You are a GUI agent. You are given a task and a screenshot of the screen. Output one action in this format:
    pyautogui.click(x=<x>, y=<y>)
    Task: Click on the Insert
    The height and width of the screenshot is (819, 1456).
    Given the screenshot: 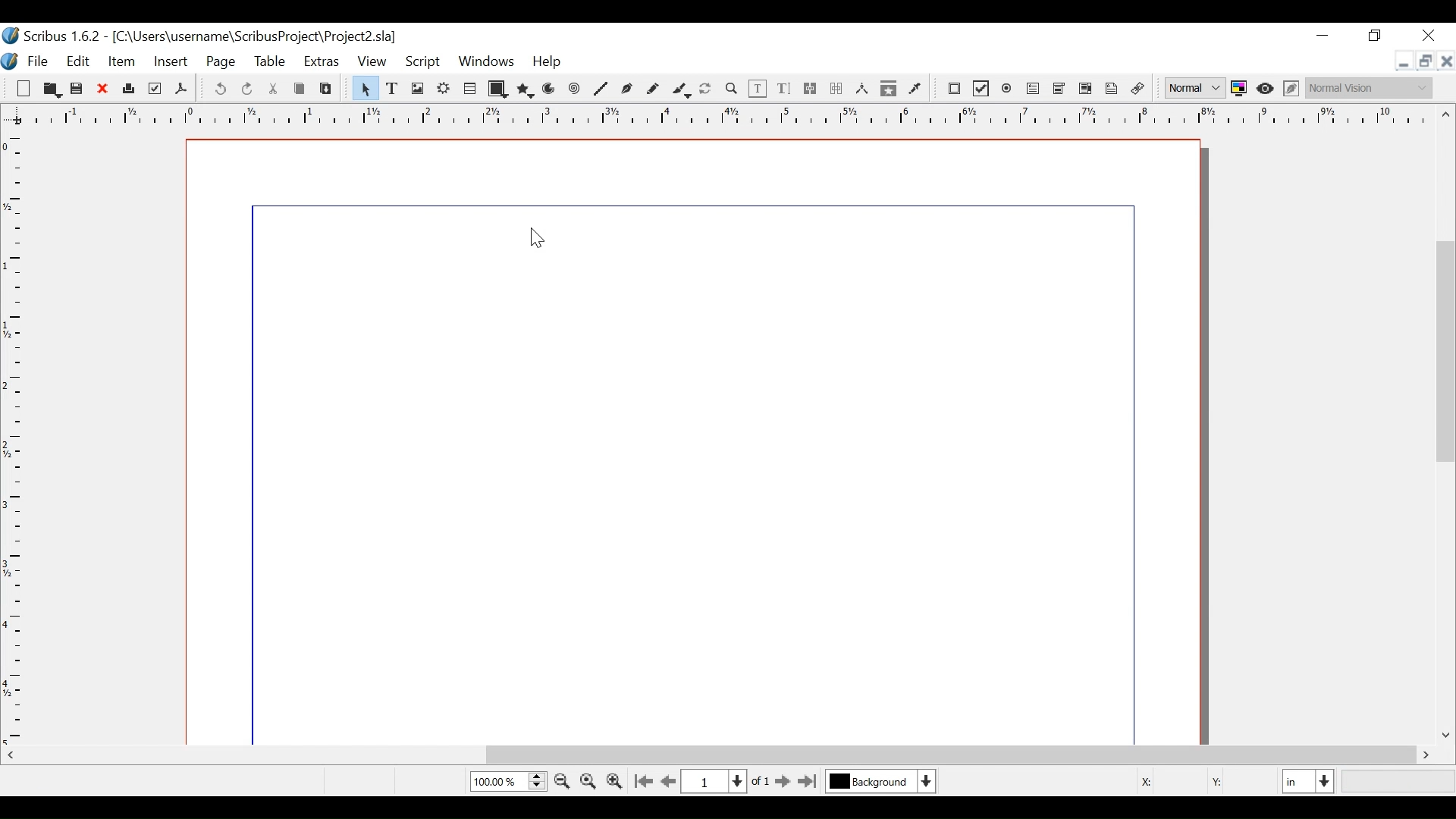 What is the action you would take?
    pyautogui.click(x=174, y=64)
    